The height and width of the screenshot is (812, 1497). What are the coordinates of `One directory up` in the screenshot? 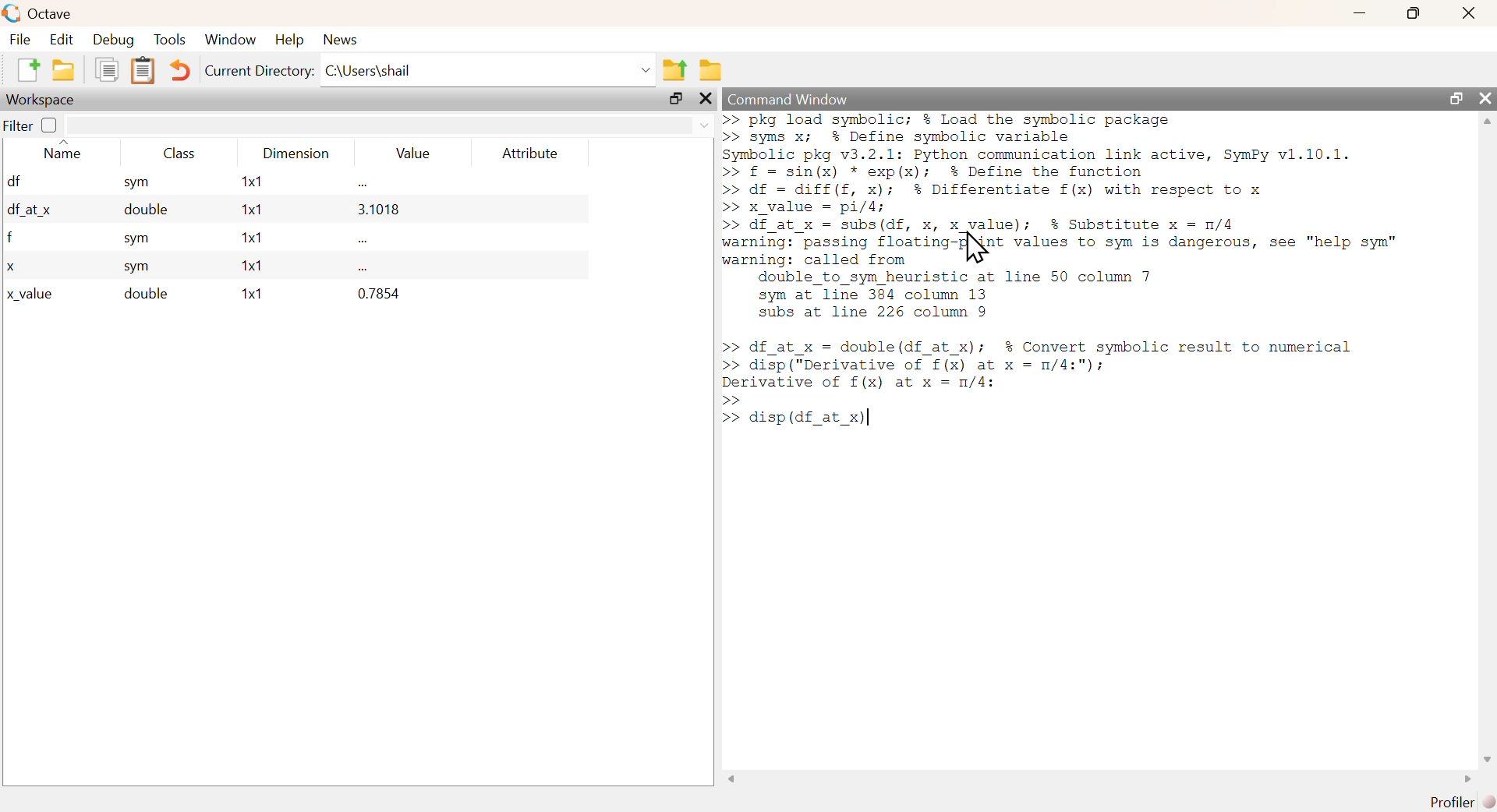 It's located at (675, 66).